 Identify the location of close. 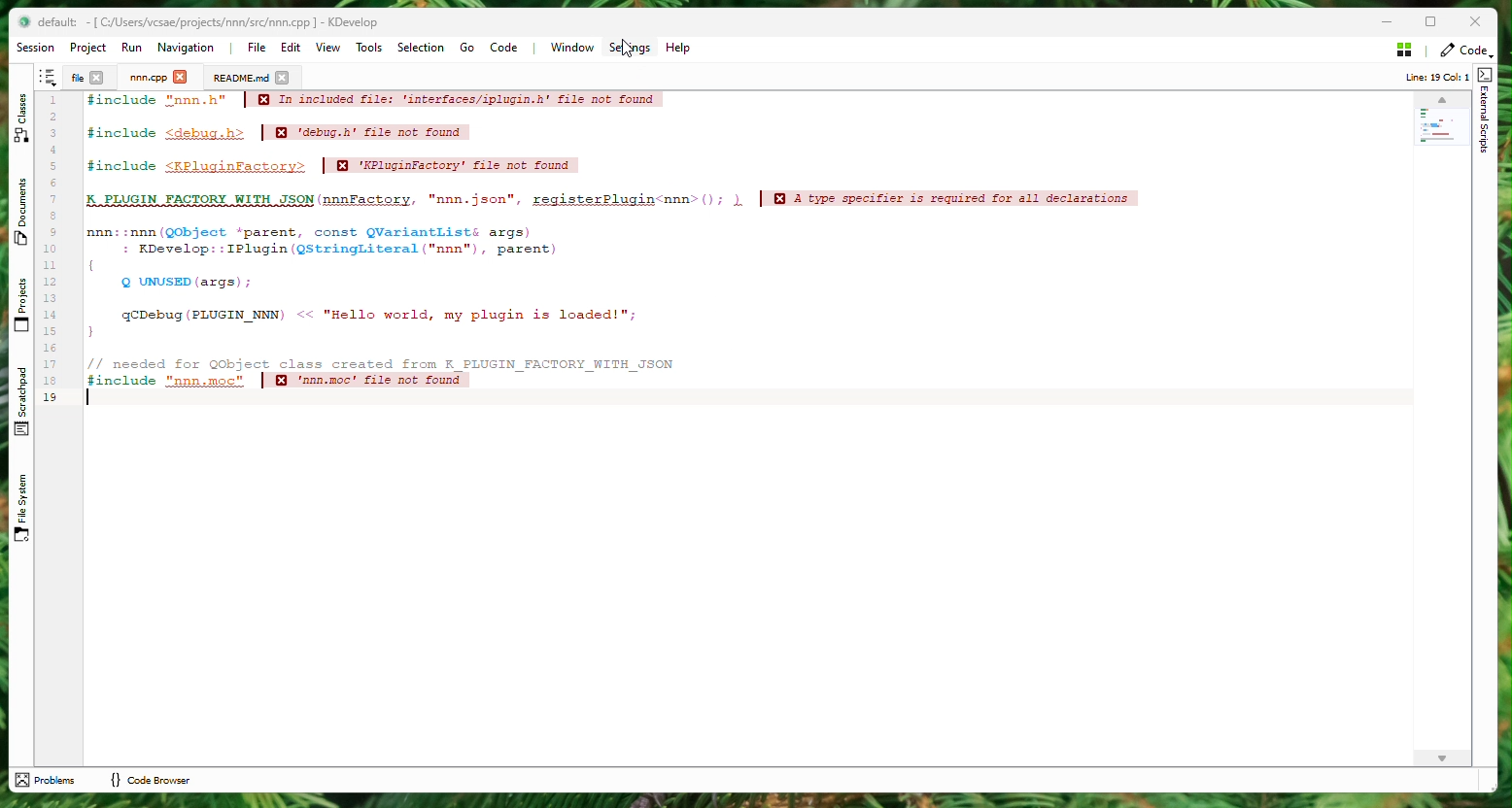
(181, 78).